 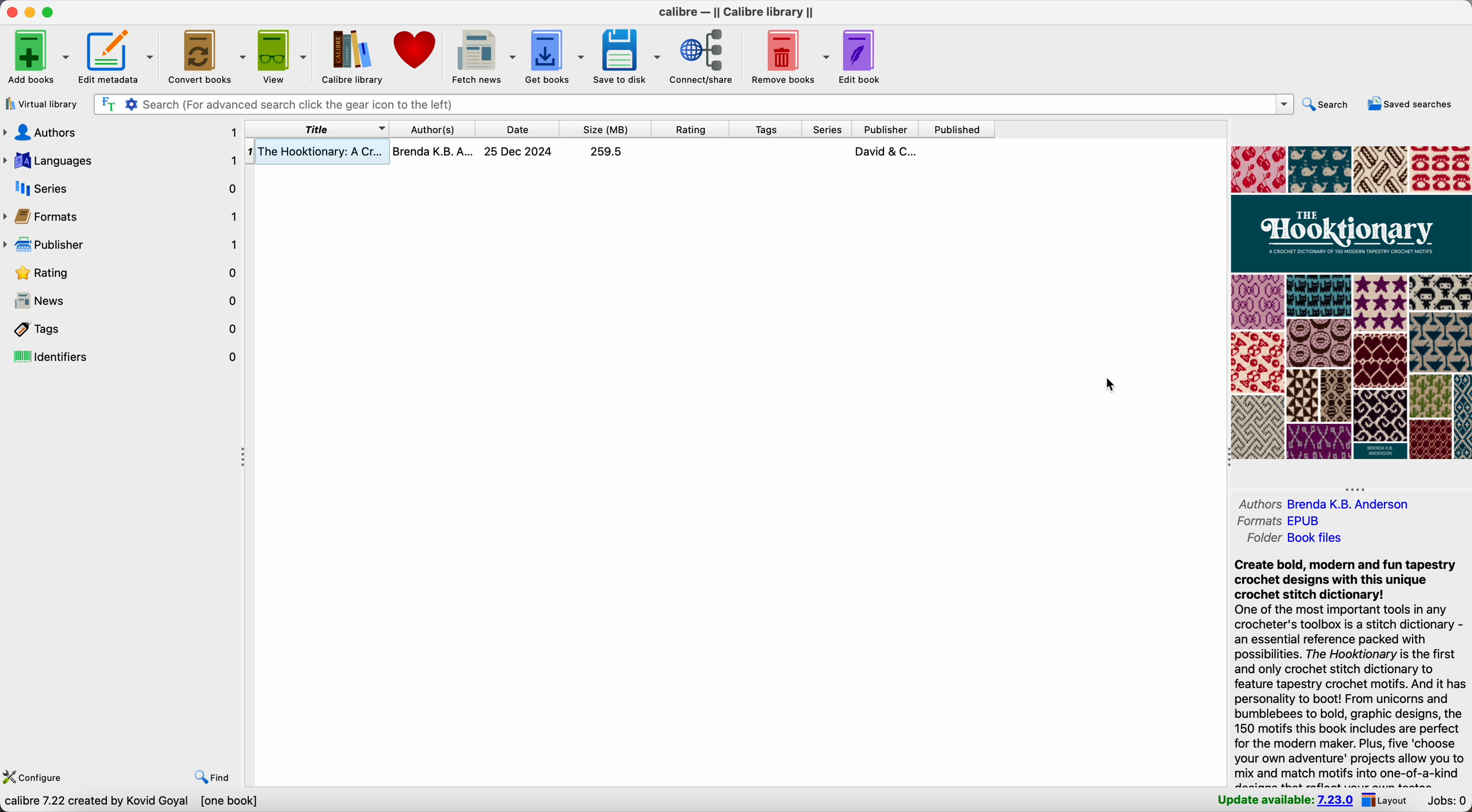 What do you see at coordinates (122, 218) in the screenshot?
I see `formats` at bounding box center [122, 218].